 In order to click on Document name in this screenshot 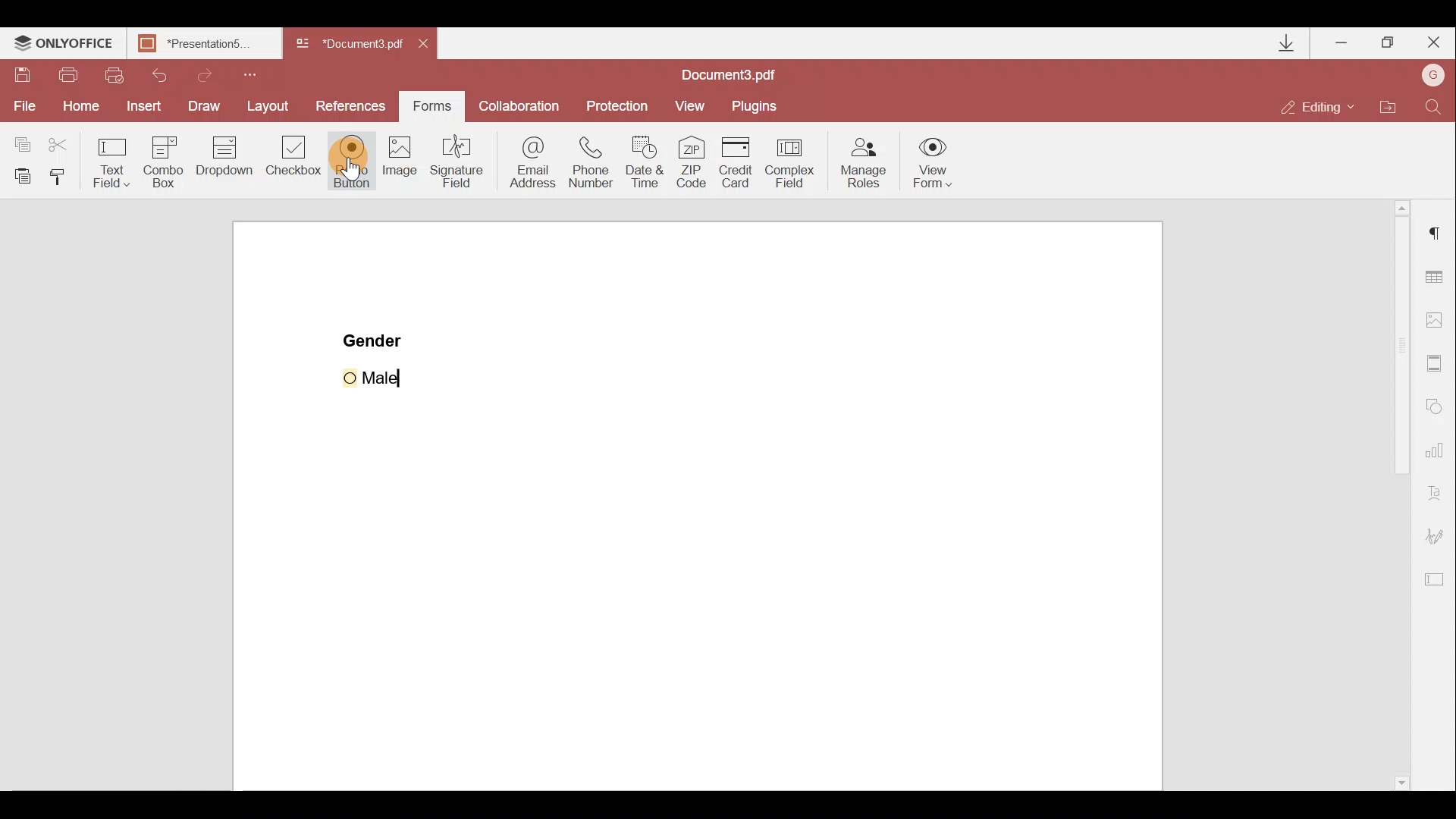, I will do `click(202, 43)`.